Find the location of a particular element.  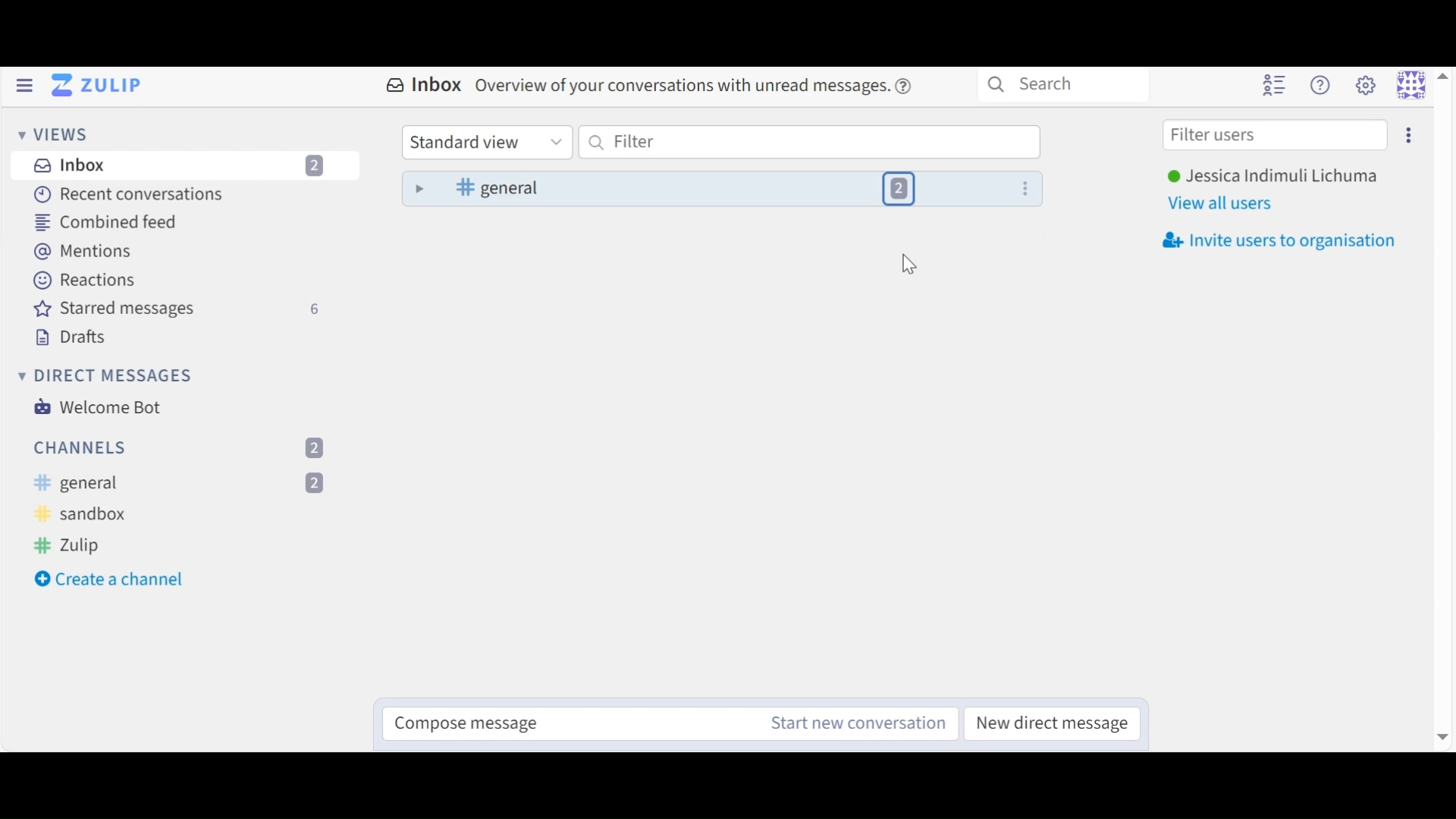

Hide left Sidebar is located at coordinates (24, 87).